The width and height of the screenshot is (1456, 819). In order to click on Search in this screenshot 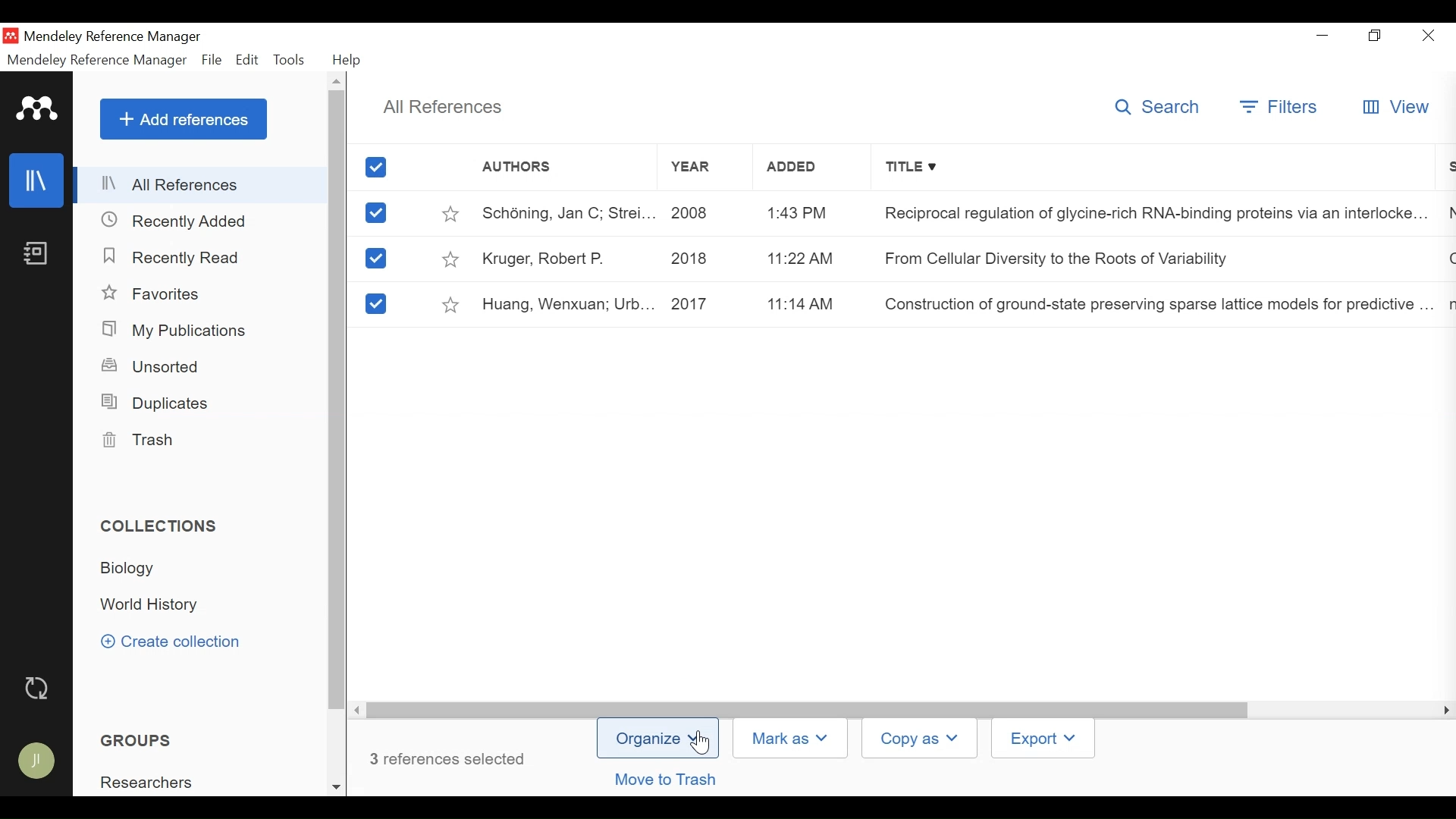, I will do `click(1161, 109)`.